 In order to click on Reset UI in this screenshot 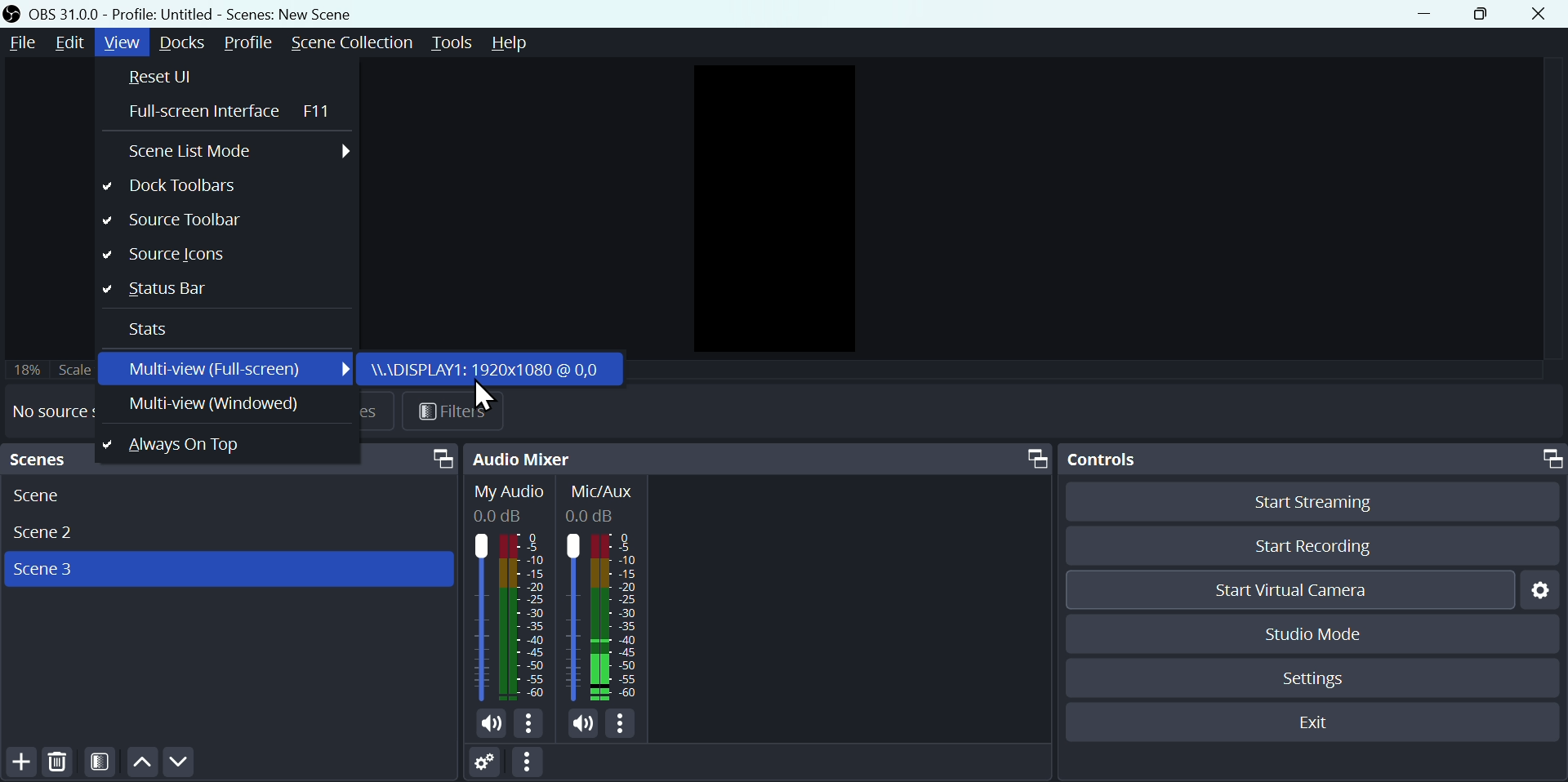, I will do `click(225, 77)`.